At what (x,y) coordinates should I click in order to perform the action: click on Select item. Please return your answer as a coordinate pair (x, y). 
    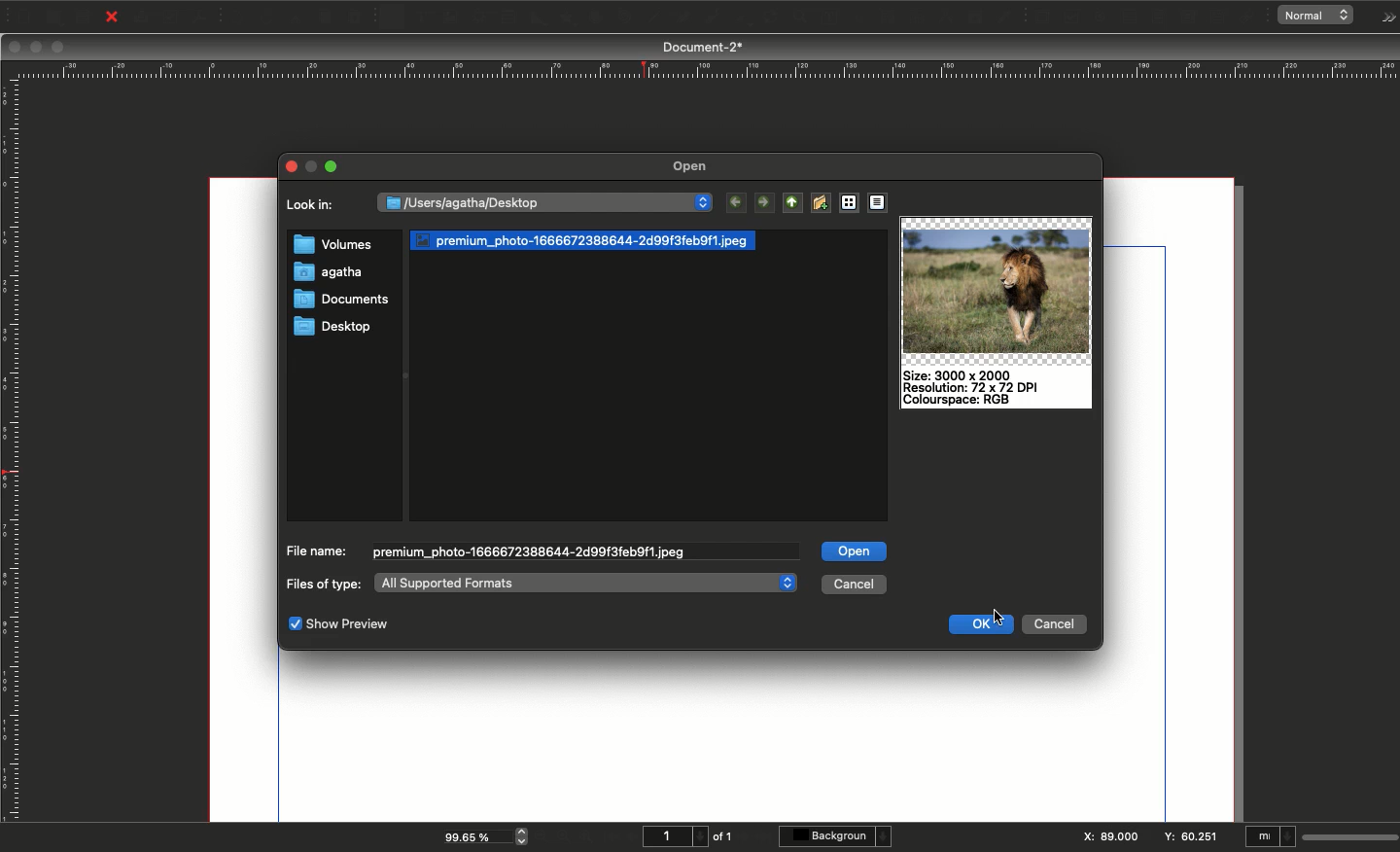
    Looking at the image, I should click on (393, 18).